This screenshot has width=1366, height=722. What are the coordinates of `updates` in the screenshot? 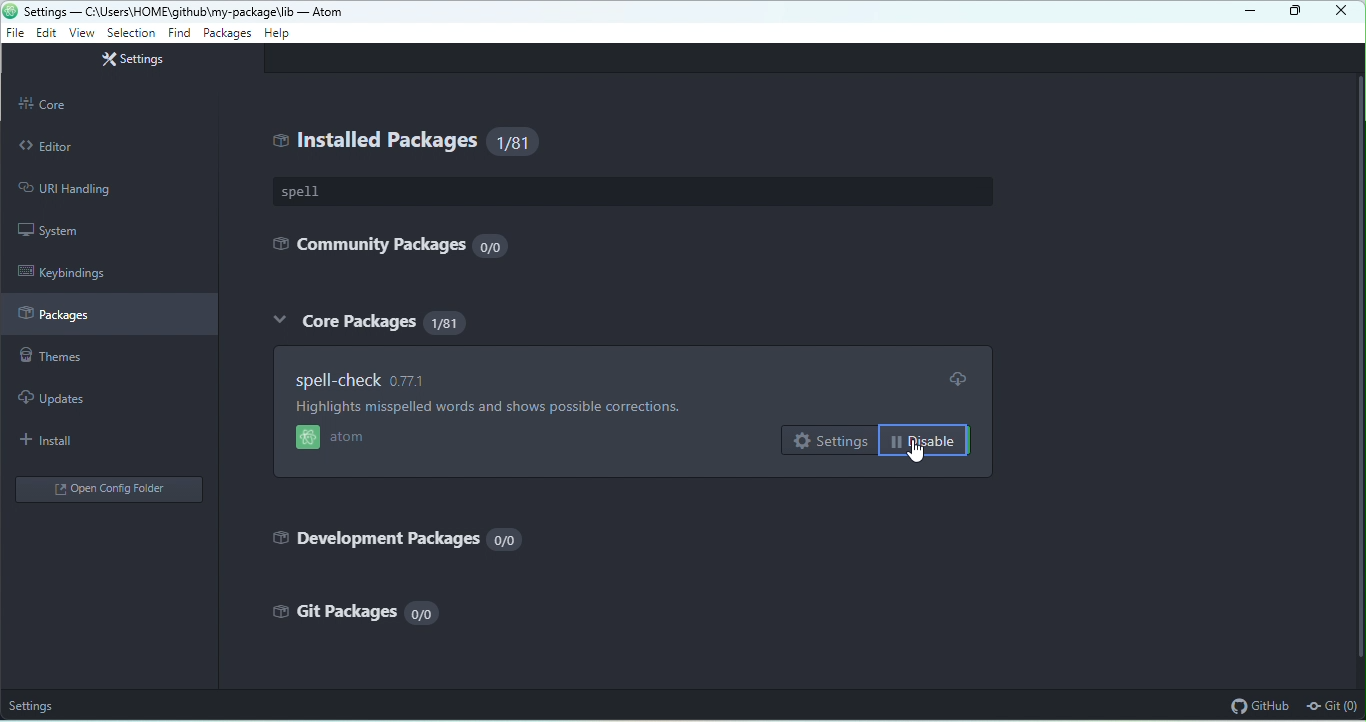 It's located at (63, 396).